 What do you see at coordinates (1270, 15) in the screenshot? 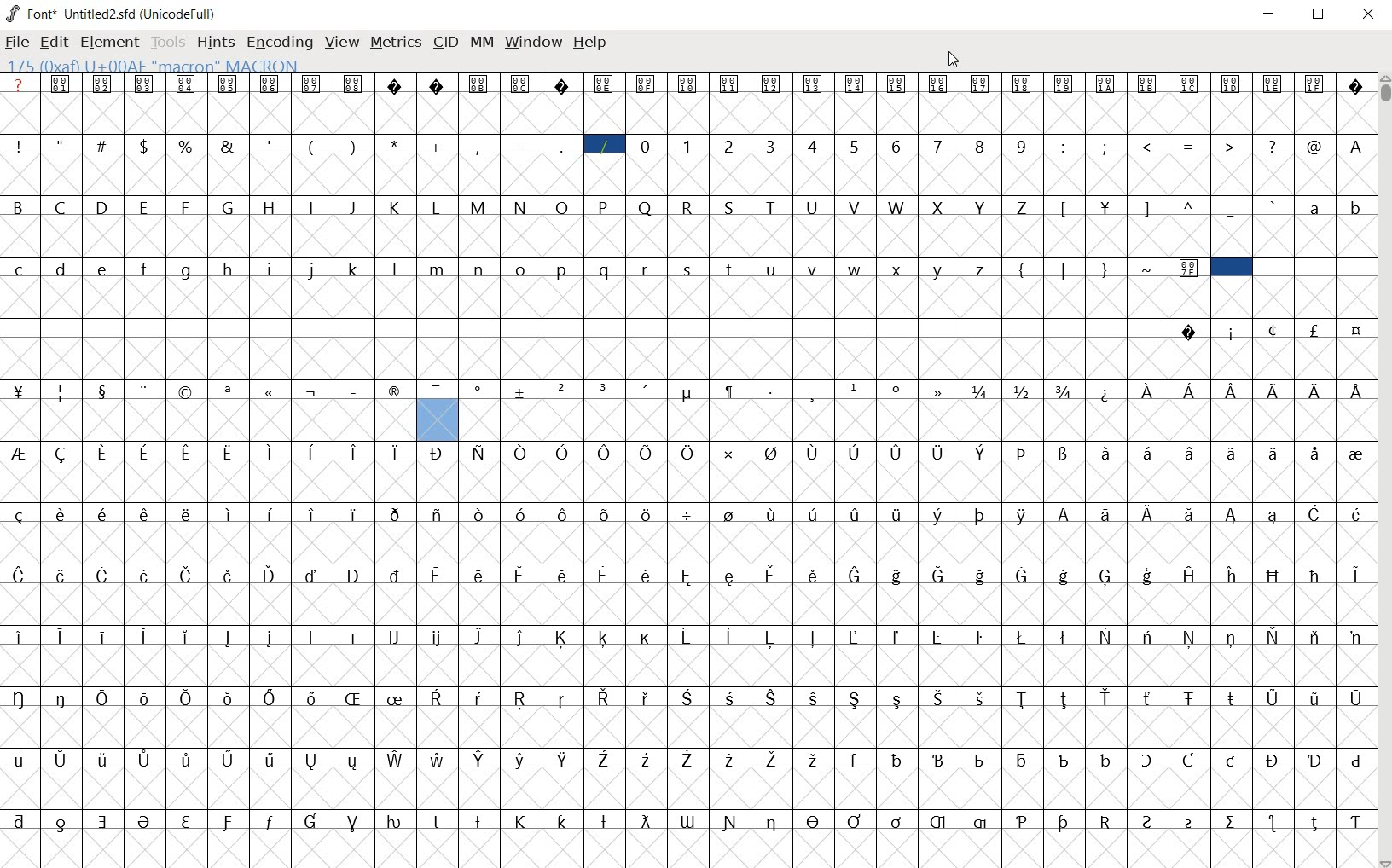
I see `Minimize` at bounding box center [1270, 15].